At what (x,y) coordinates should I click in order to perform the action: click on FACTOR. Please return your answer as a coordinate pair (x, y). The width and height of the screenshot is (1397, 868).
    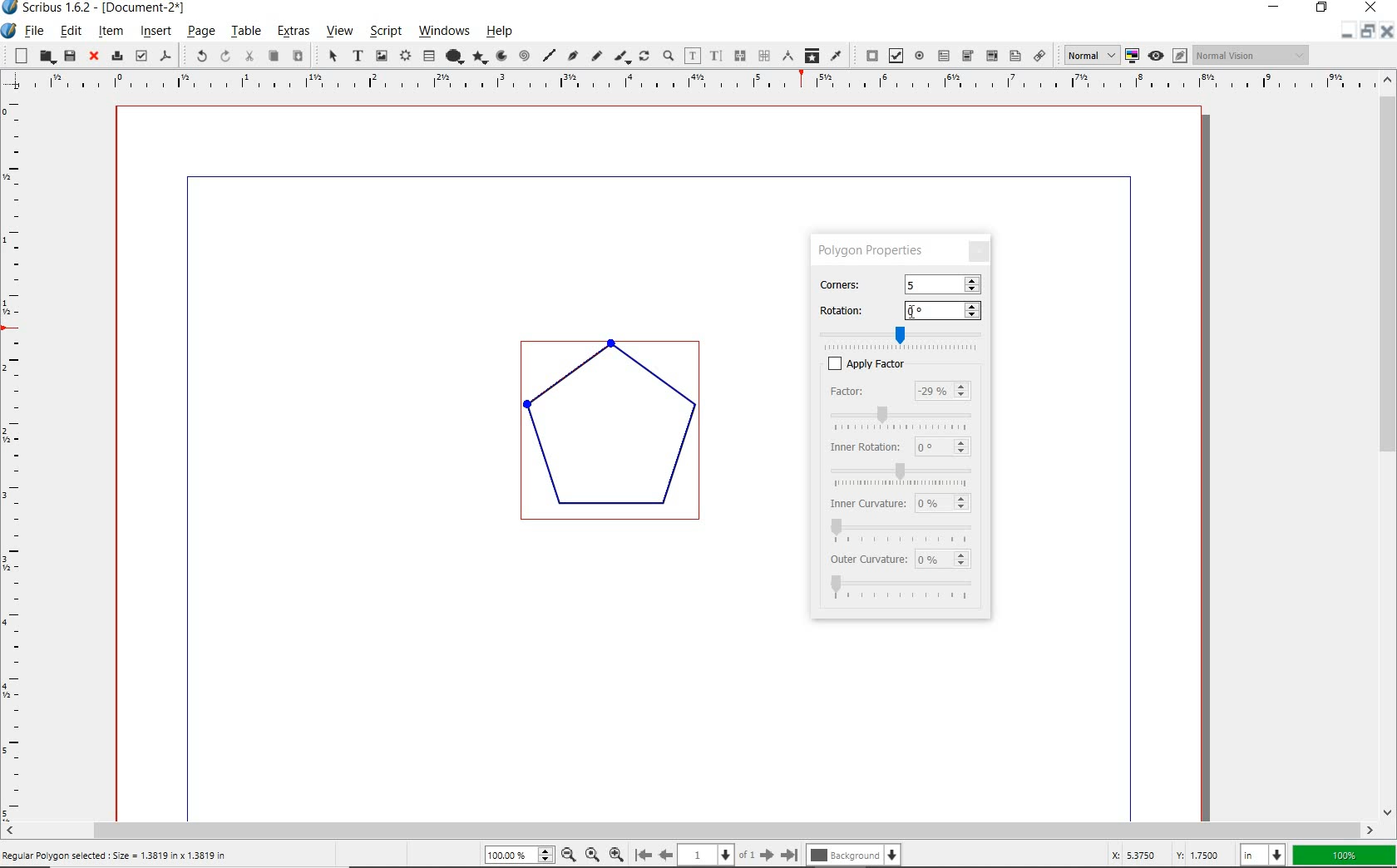
    Looking at the image, I should click on (865, 392).